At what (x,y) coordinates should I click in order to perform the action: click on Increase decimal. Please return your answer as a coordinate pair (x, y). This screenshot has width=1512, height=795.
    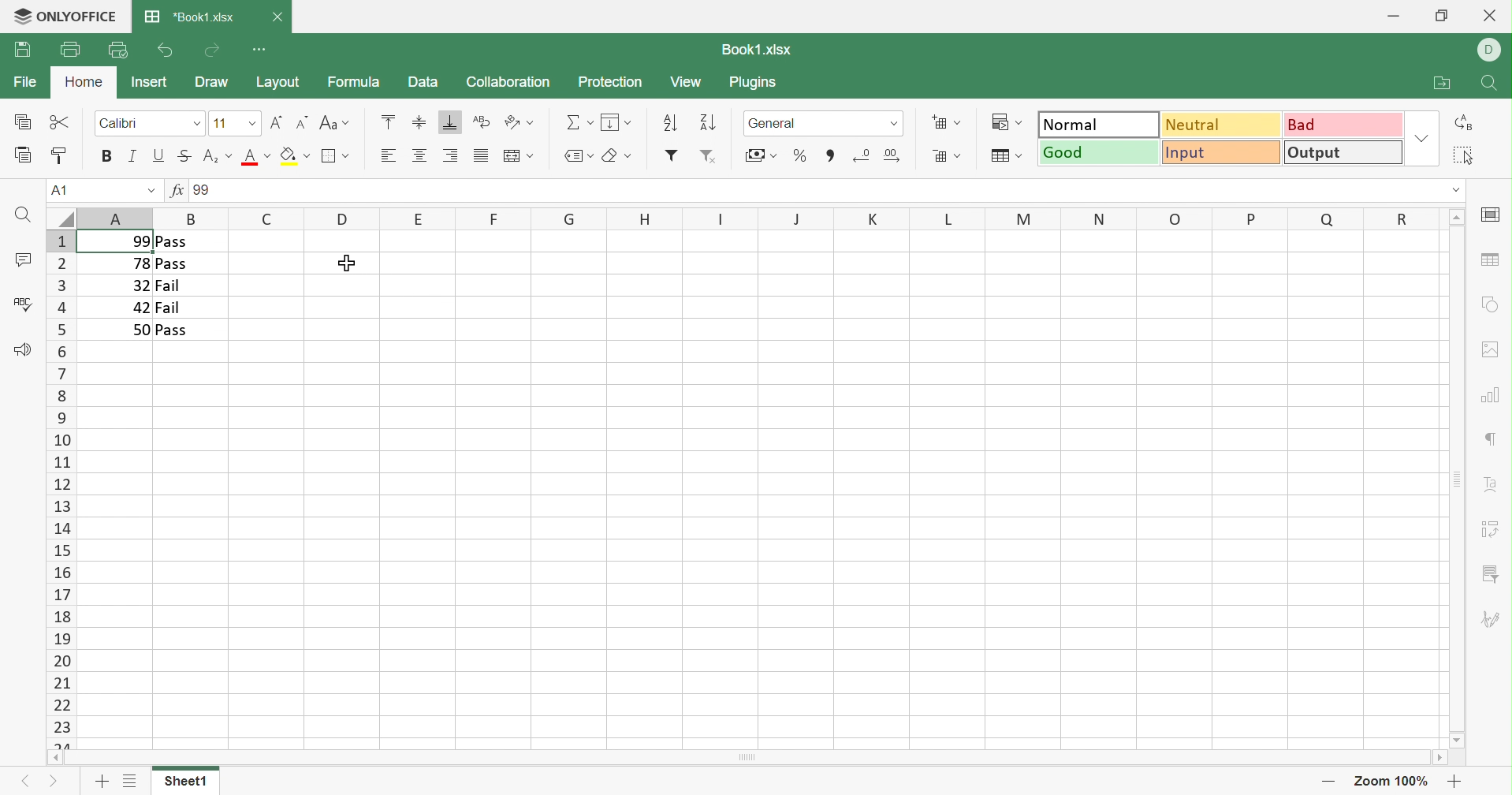
    Looking at the image, I should click on (893, 155).